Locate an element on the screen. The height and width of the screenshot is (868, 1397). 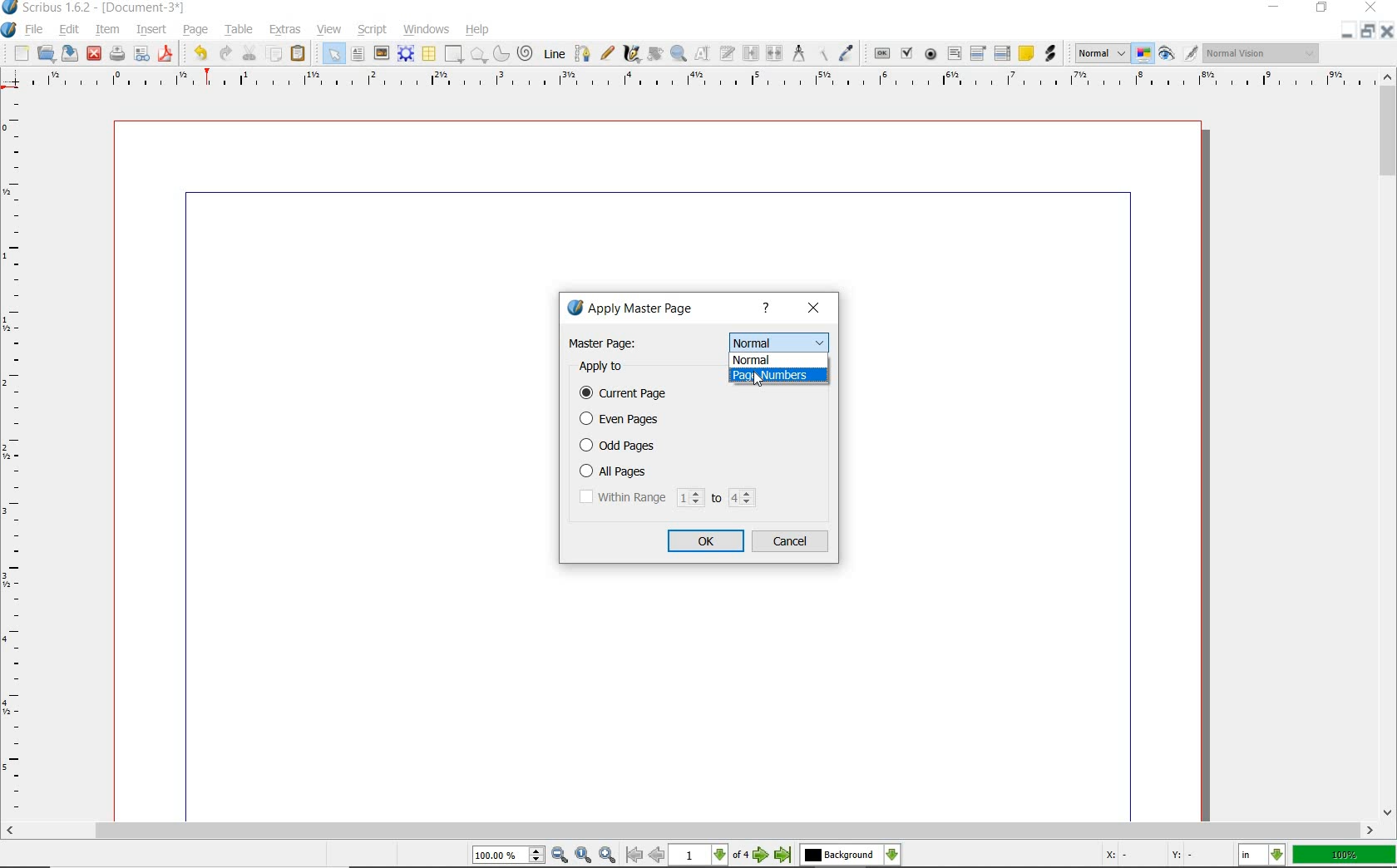
link annotation is located at coordinates (1050, 53).